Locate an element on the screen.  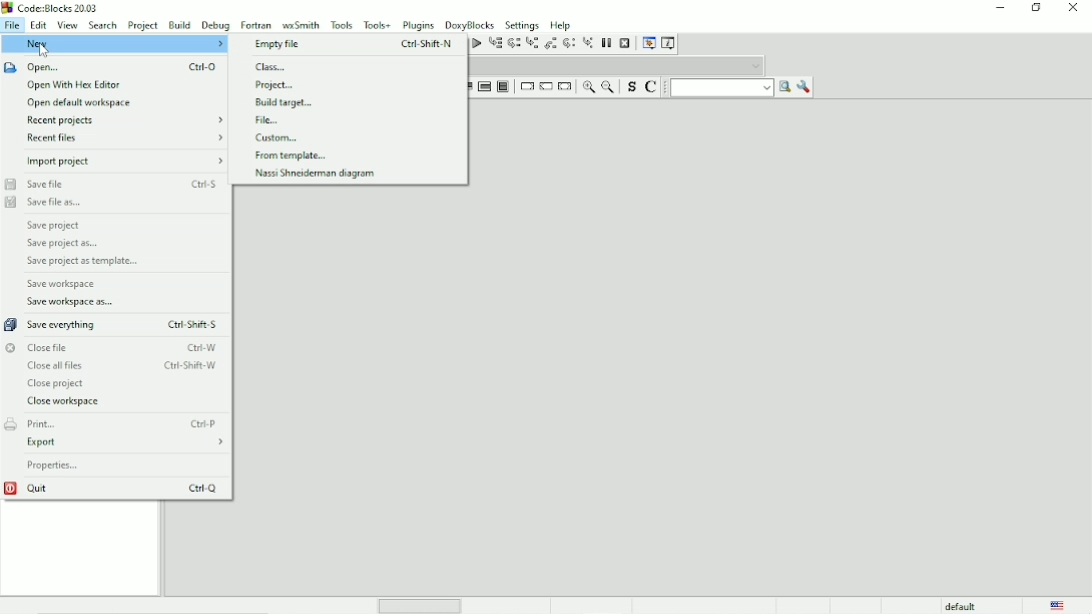
Break debugger is located at coordinates (607, 43).